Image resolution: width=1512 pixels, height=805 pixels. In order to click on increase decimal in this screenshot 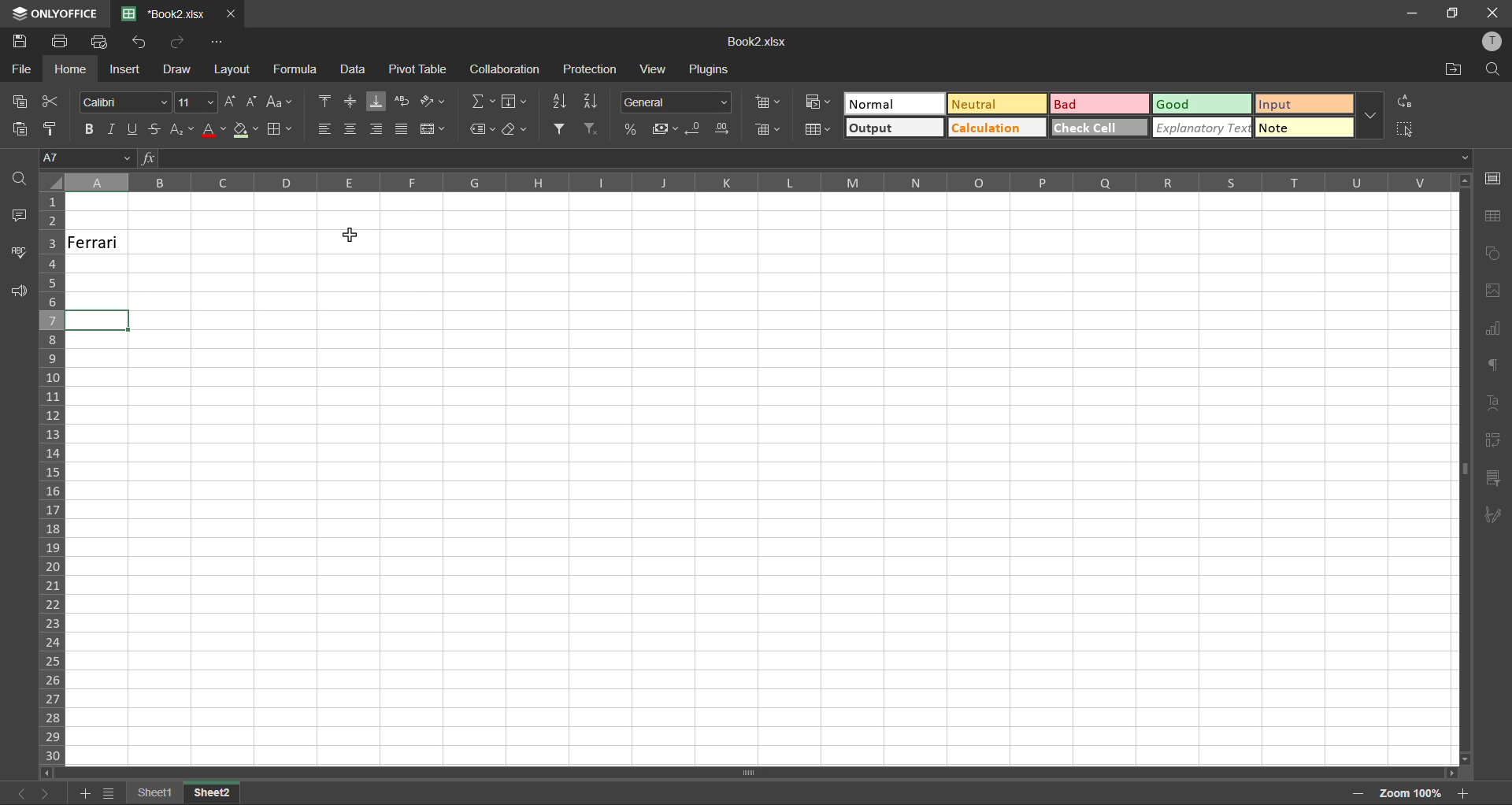, I will do `click(724, 129)`.